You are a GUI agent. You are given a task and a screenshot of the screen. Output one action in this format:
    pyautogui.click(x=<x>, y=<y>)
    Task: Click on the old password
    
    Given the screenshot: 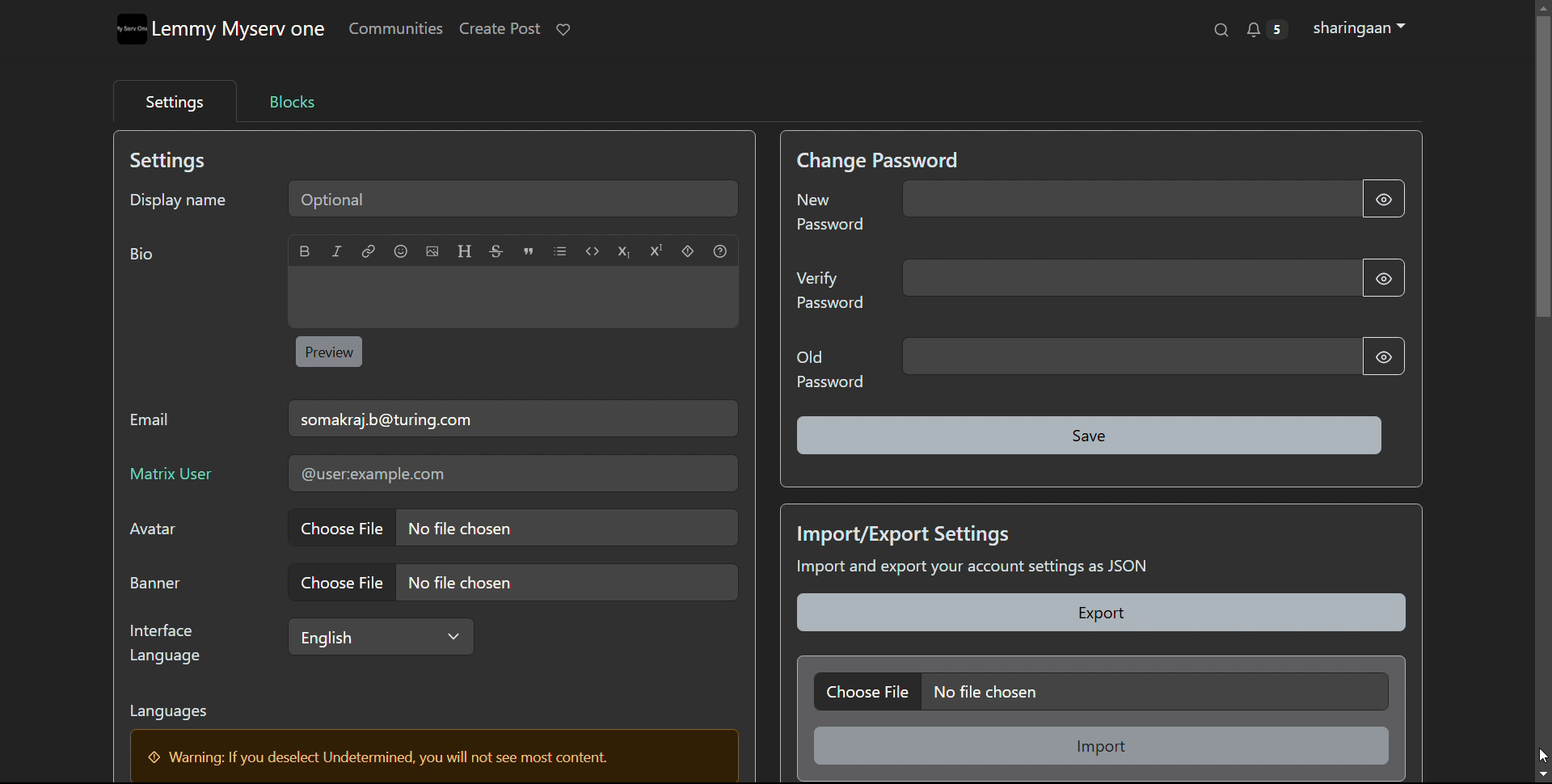 What is the action you would take?
    pyautogui.click(x=1128, y=356)
    